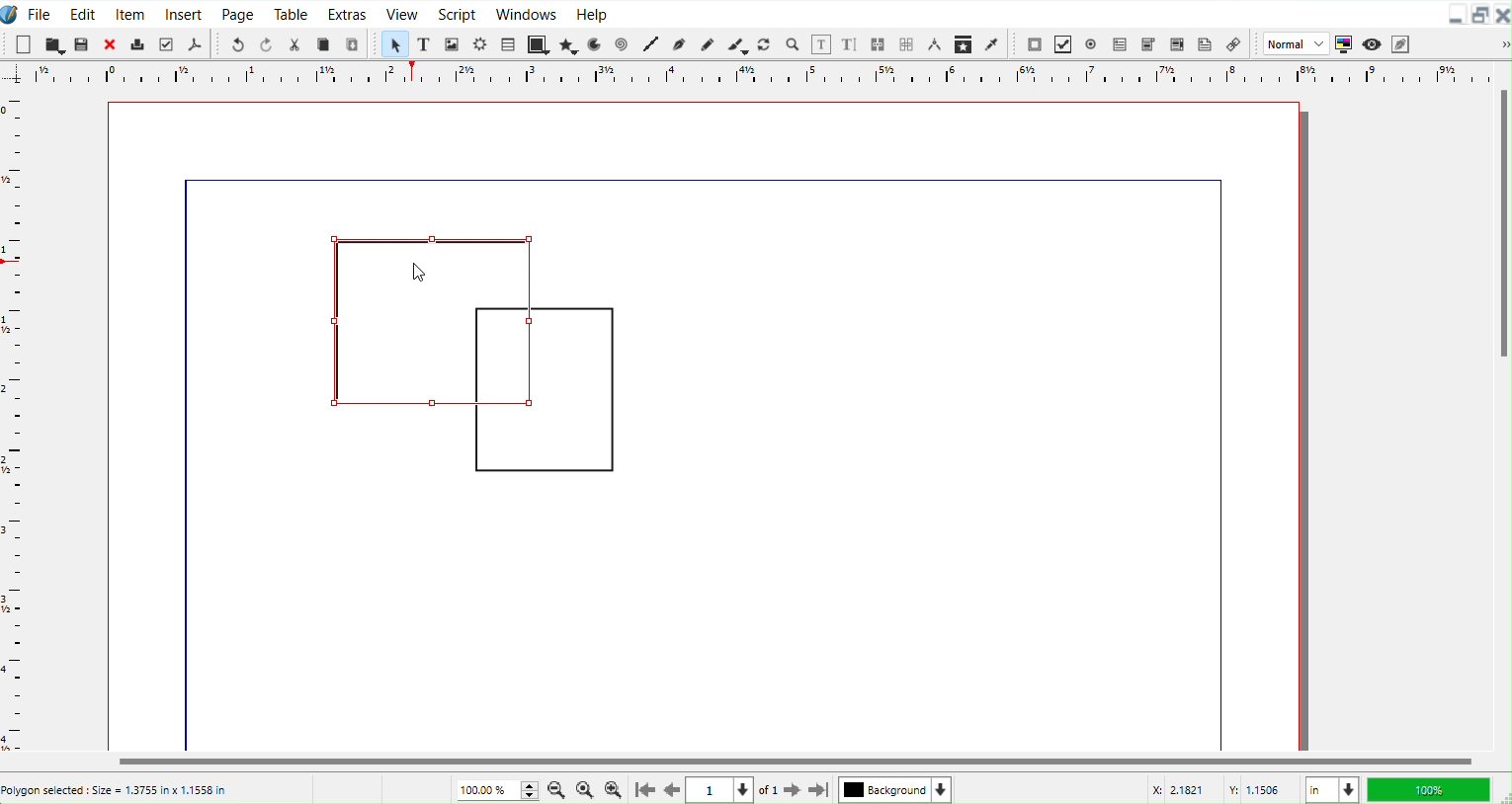  I want to click on PDF Push Button, so click(1034, 44).